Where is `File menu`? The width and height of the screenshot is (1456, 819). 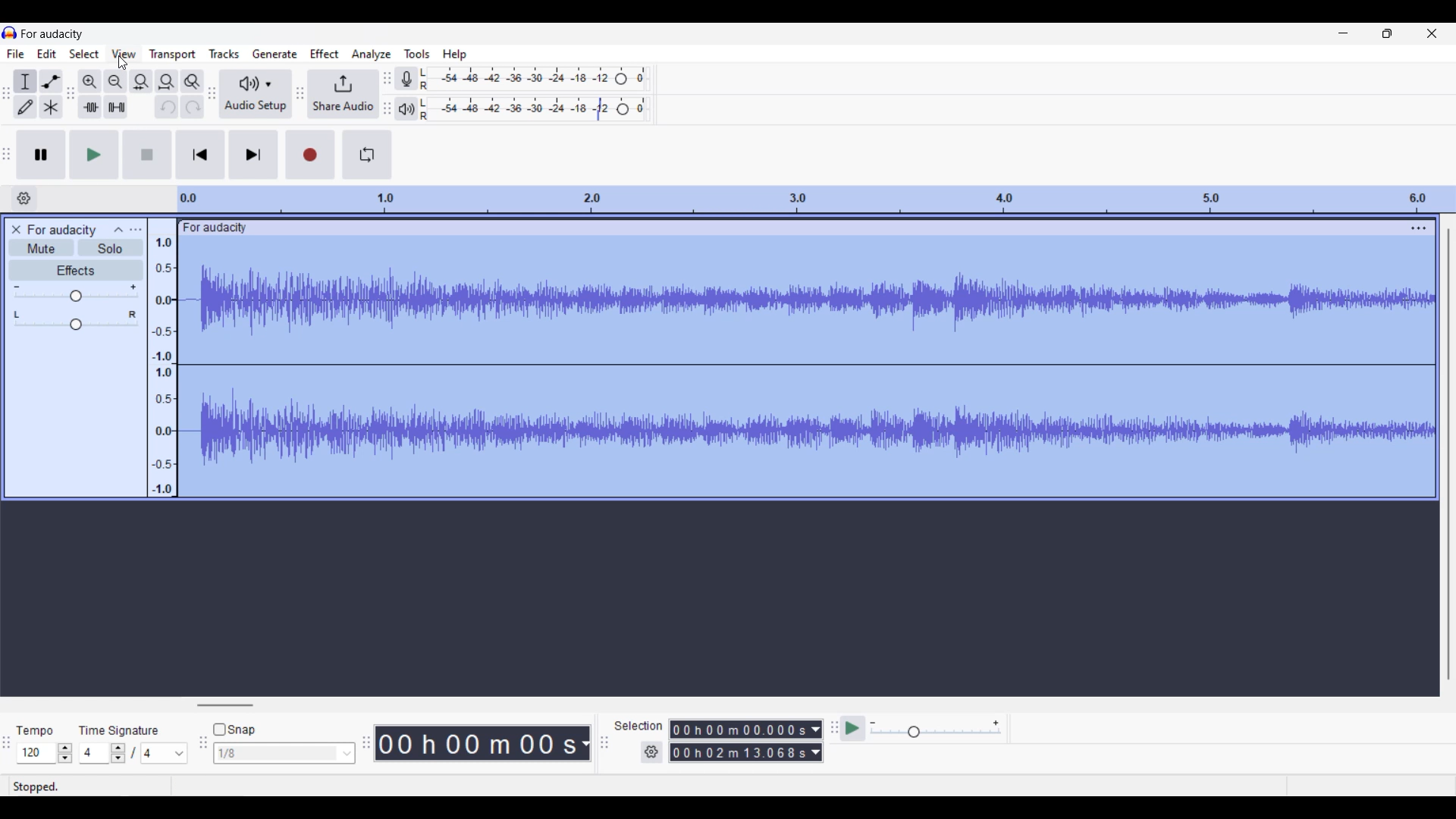
File menu is located at coordinates (16, 54).